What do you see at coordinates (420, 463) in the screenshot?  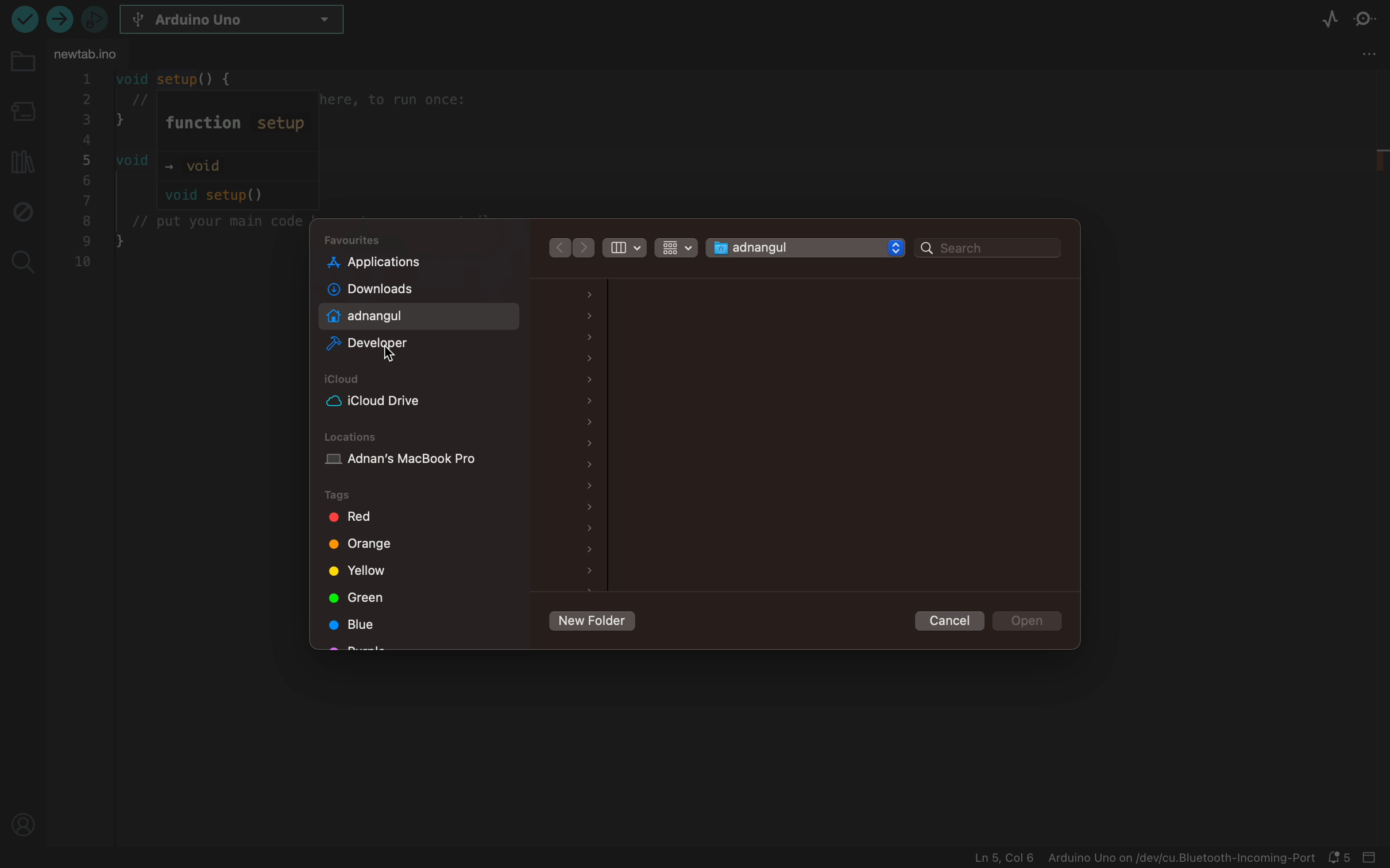 I see `adnan's mackbook pro` at bounding box center [420, 463].